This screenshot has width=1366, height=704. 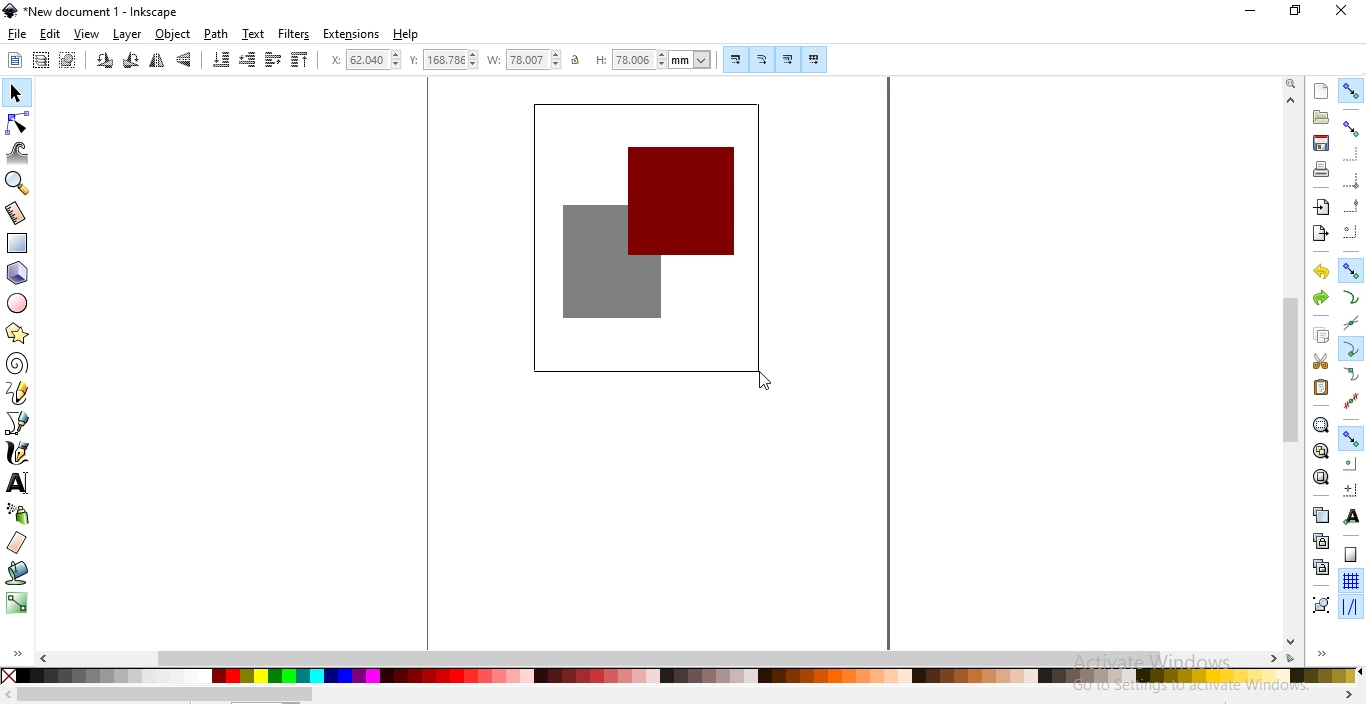 I want to click on snap cusp nodes, so click(x=1352, y=349).